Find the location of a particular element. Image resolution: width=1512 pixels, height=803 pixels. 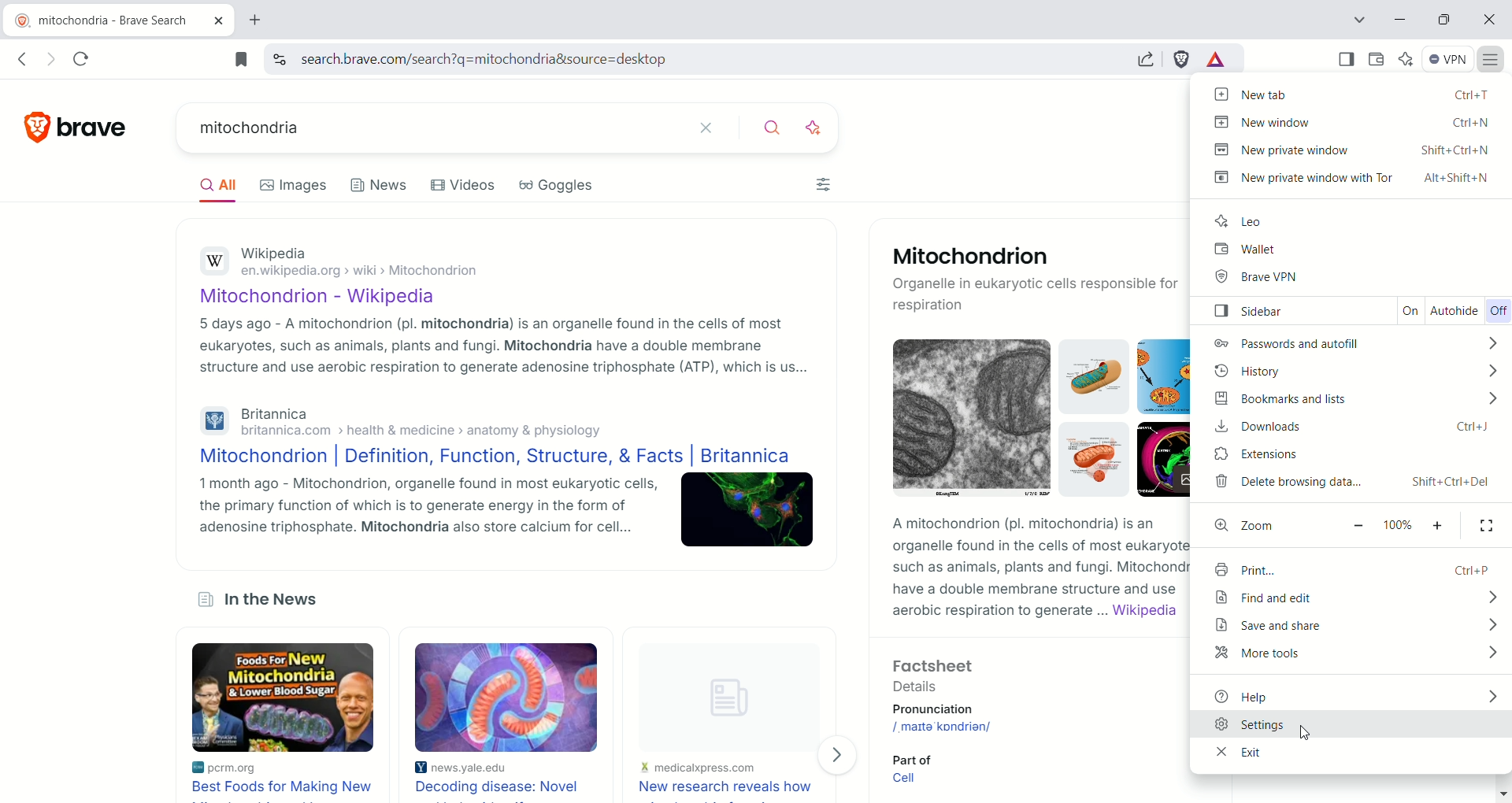

show sidebar is located at coordinates (1344, 57).